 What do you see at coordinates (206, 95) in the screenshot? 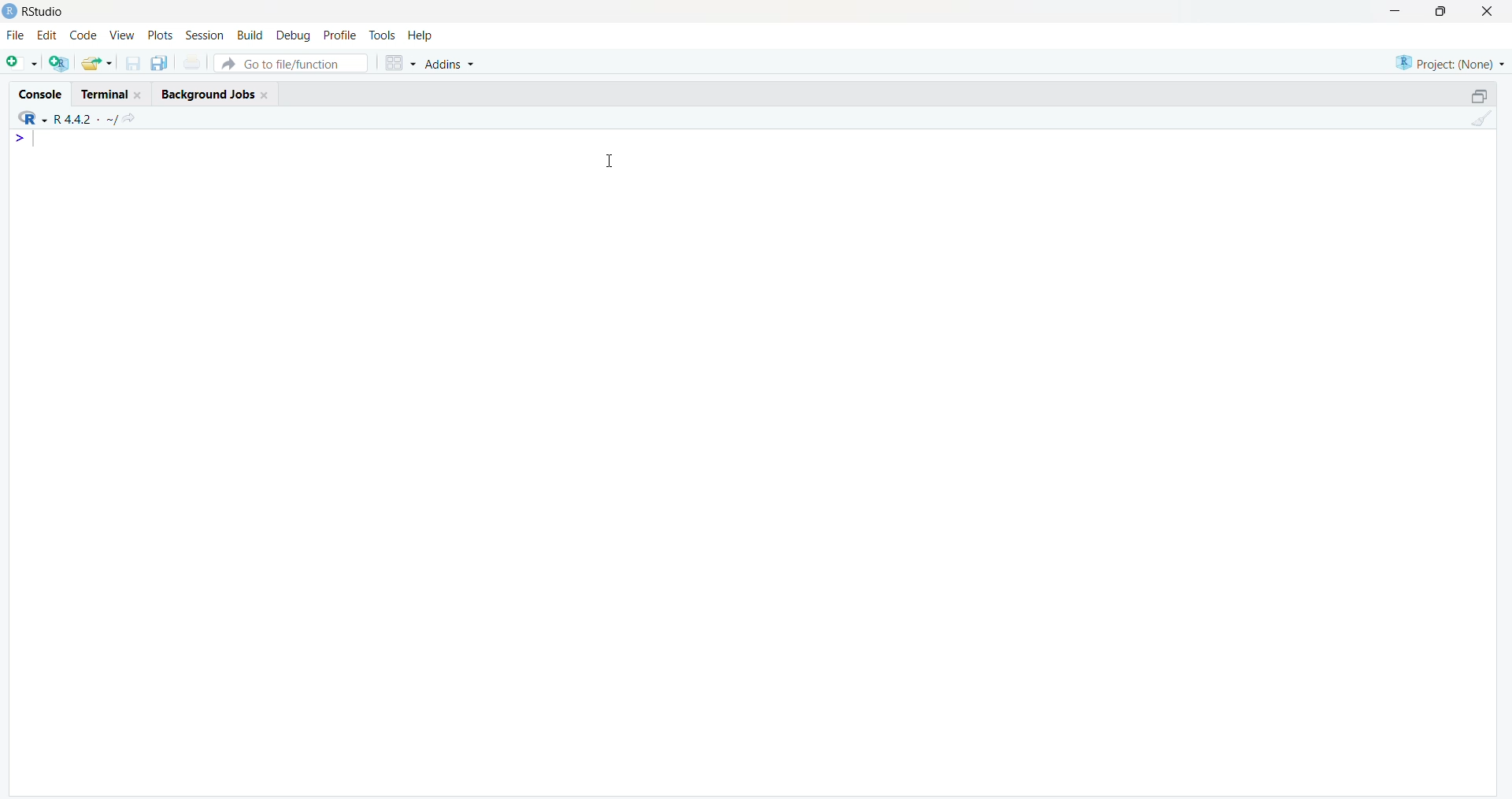
I see `Background jobs` at bounding box center [206, 95].